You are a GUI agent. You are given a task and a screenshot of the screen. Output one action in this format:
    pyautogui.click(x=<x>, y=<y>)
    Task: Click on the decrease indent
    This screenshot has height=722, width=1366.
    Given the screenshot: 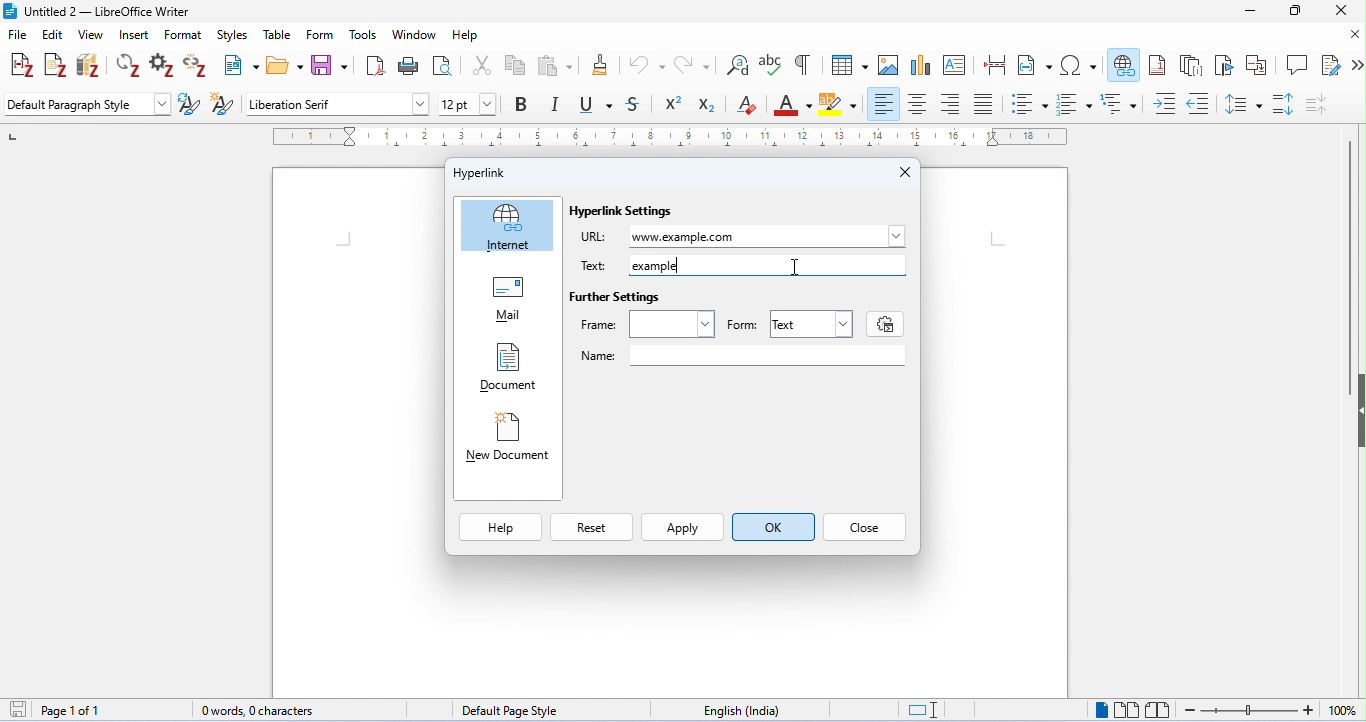 What is the action you would take?
    pyautogui.click(x=1200, y=102)
    